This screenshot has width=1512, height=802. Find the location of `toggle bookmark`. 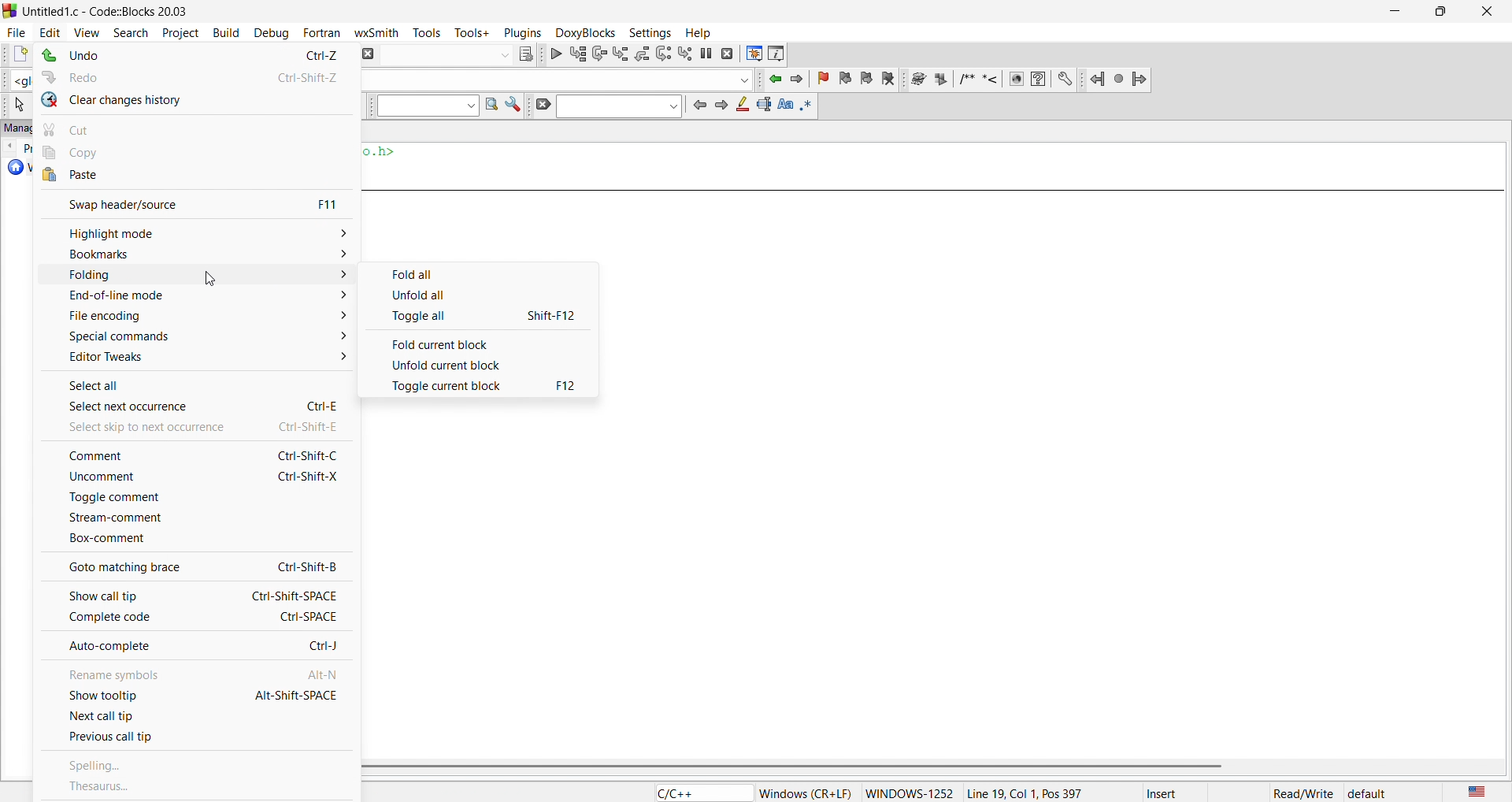

toggle bookmark is located at coordinates (826, 79).